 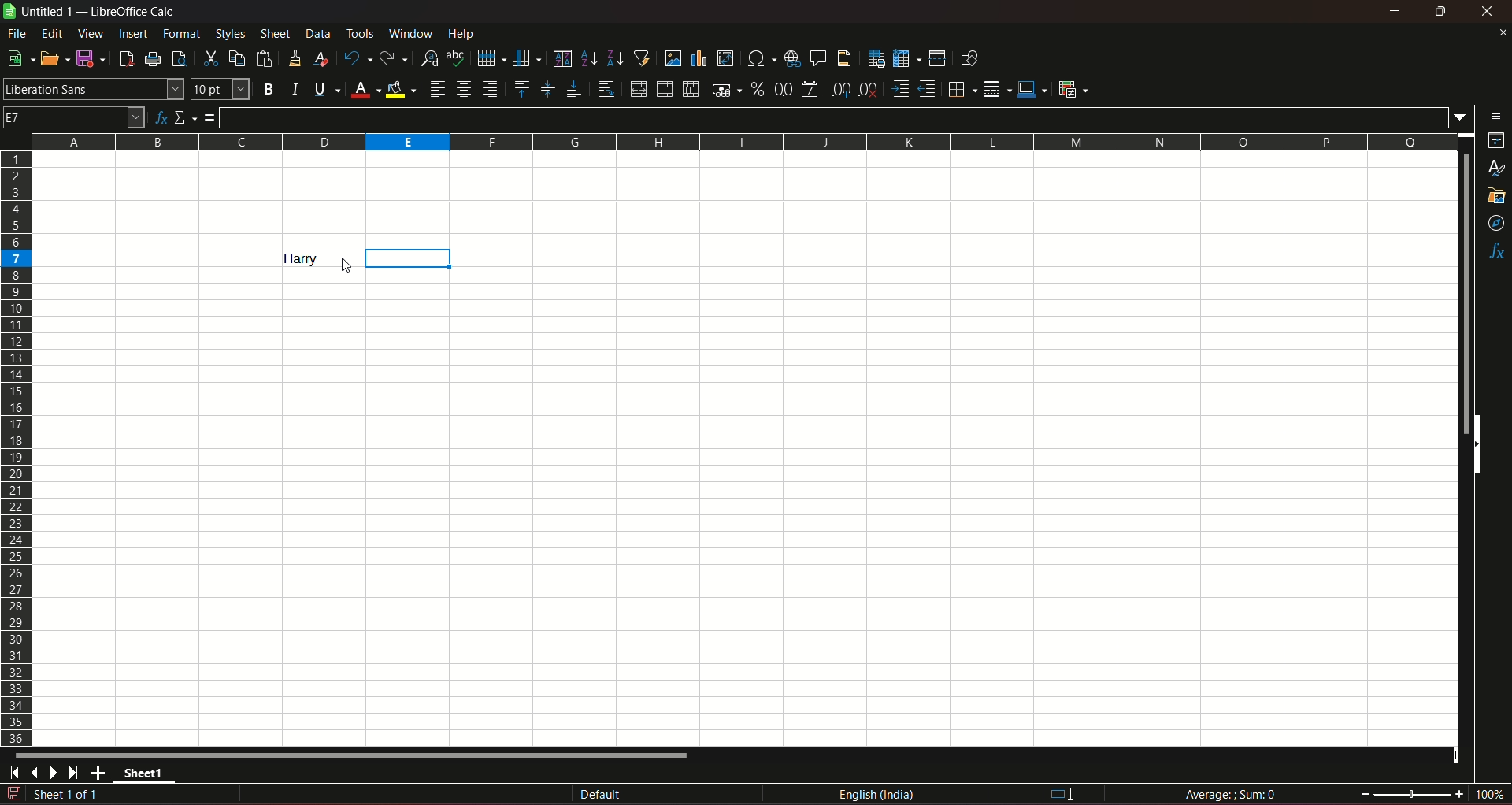 What do you see at coordinates (159, 118) in the screenshot?
I see `function wizard` at bounding box center [159, 118].